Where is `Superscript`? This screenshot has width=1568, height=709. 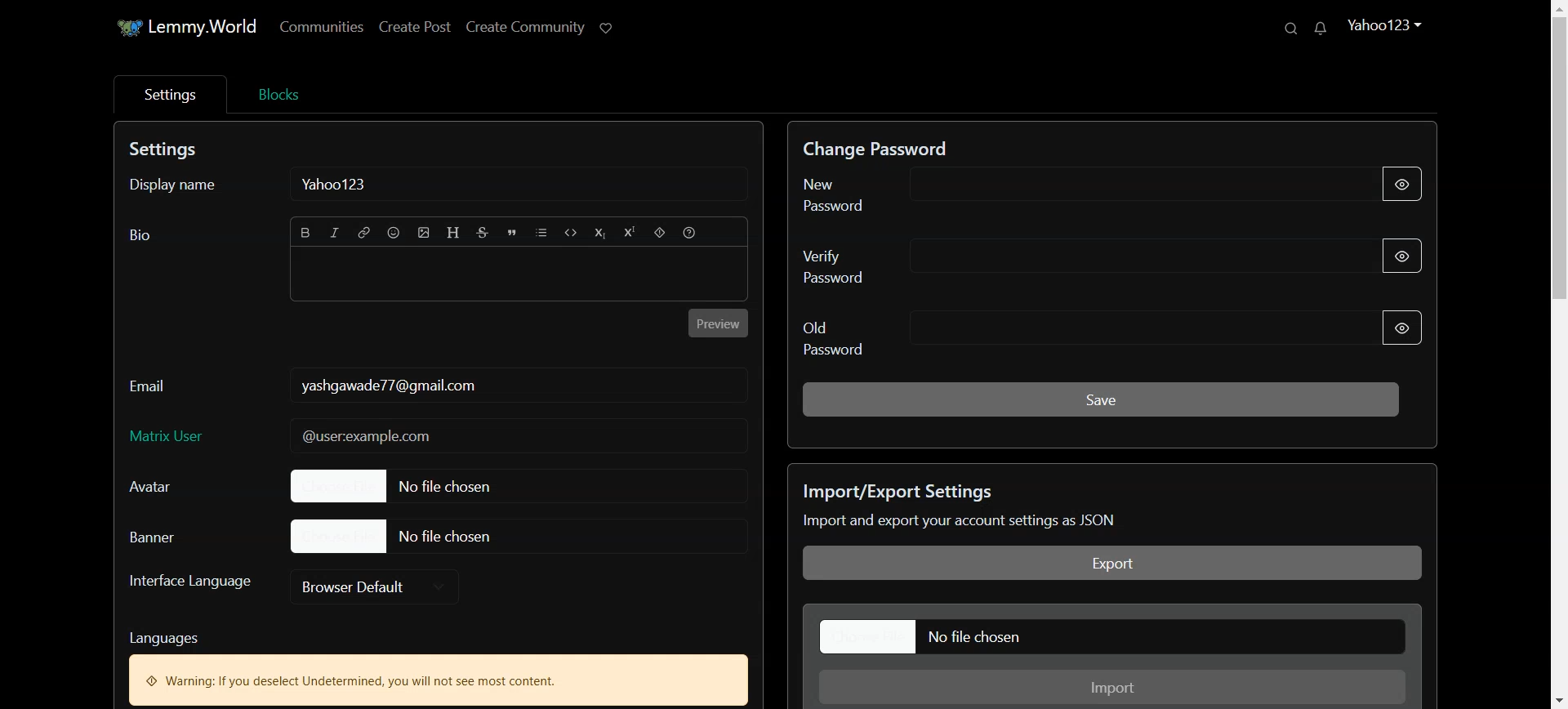 Superscript is located at coordinates (628, 234).